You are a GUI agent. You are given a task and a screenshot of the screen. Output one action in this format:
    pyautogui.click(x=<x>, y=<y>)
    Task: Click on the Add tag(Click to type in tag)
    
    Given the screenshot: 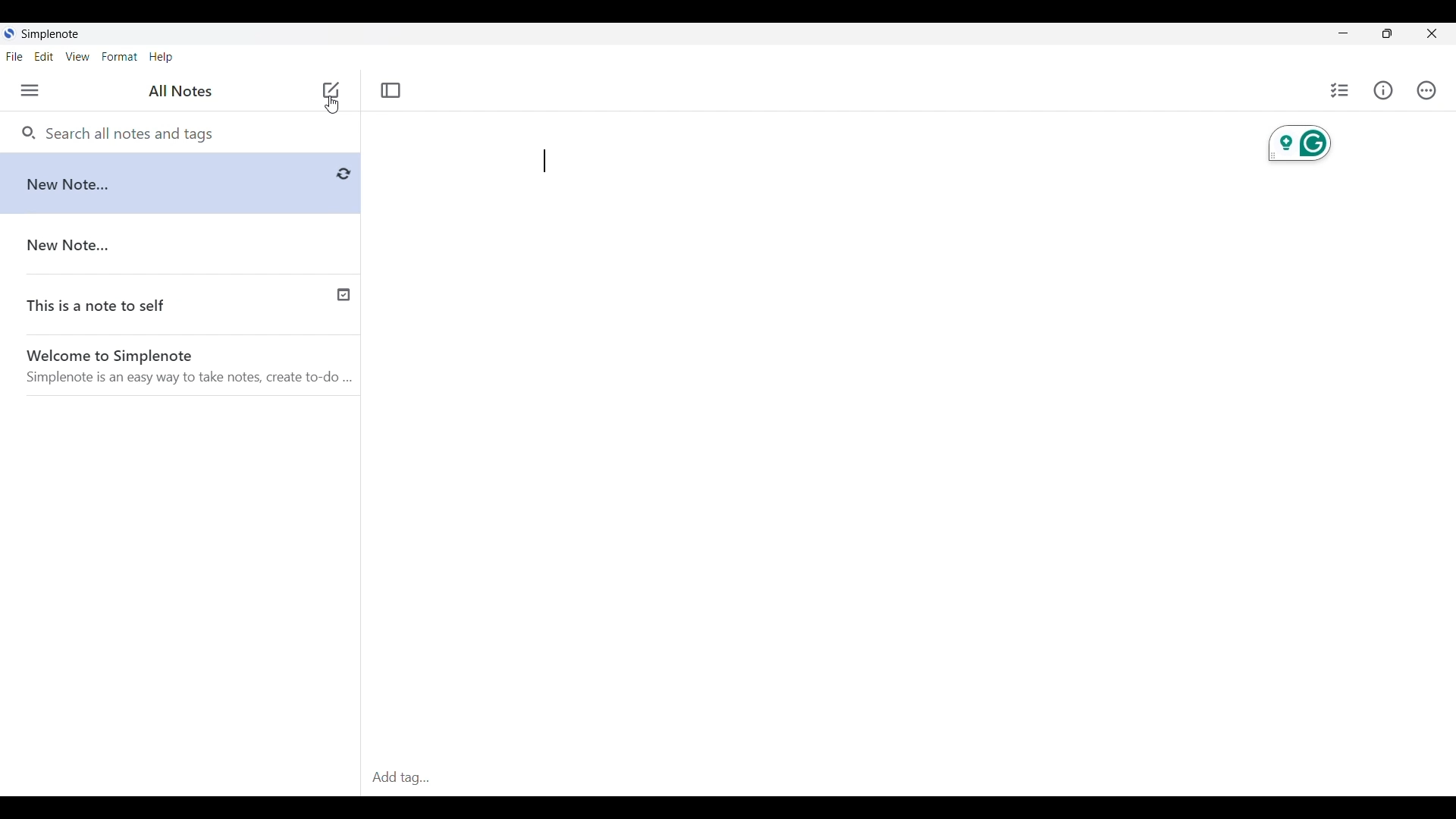 What is the action you would take?
    pyautogui.click(x=908, y=779)
    